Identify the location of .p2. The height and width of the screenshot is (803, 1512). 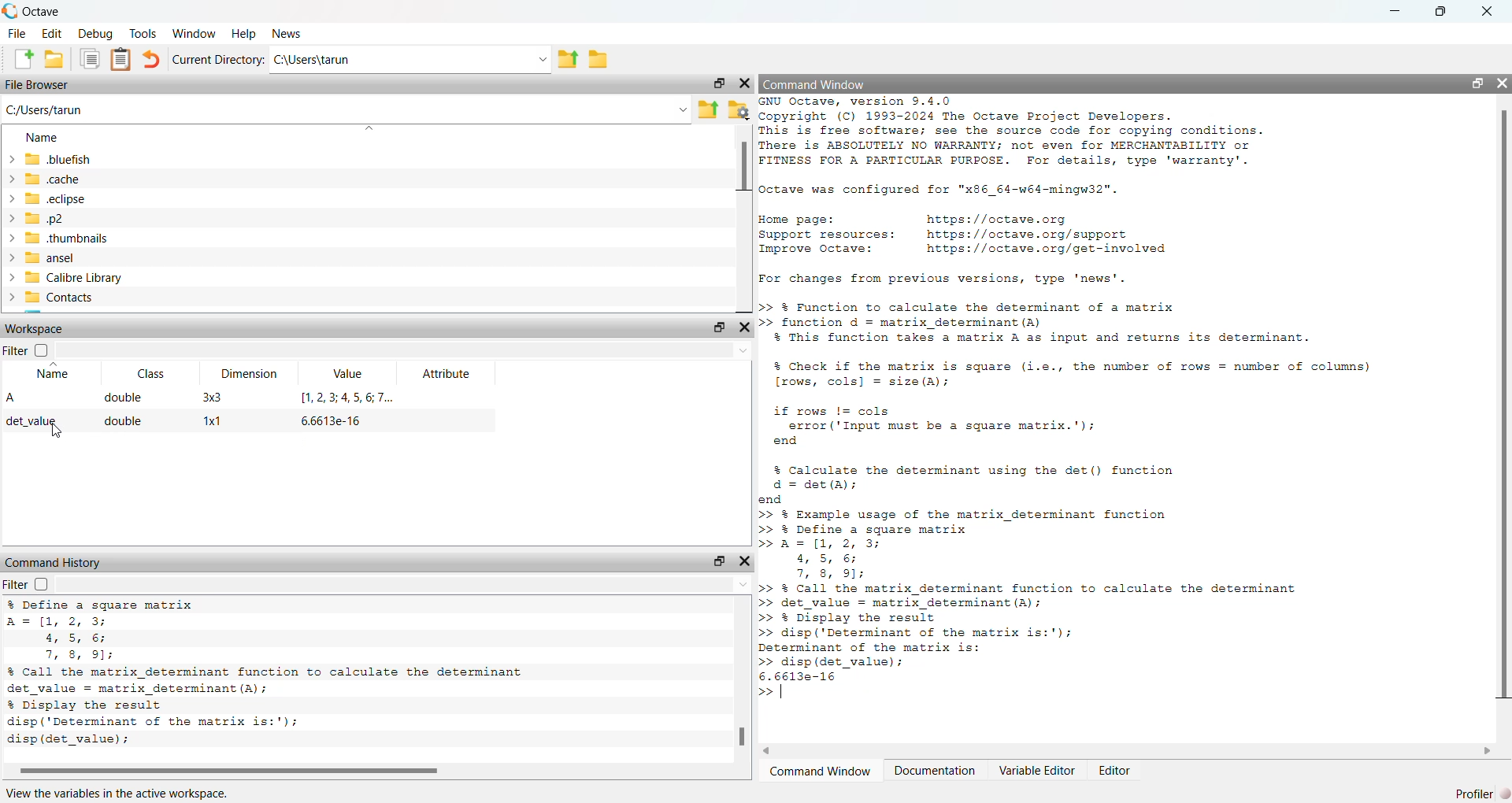
(39, 219).